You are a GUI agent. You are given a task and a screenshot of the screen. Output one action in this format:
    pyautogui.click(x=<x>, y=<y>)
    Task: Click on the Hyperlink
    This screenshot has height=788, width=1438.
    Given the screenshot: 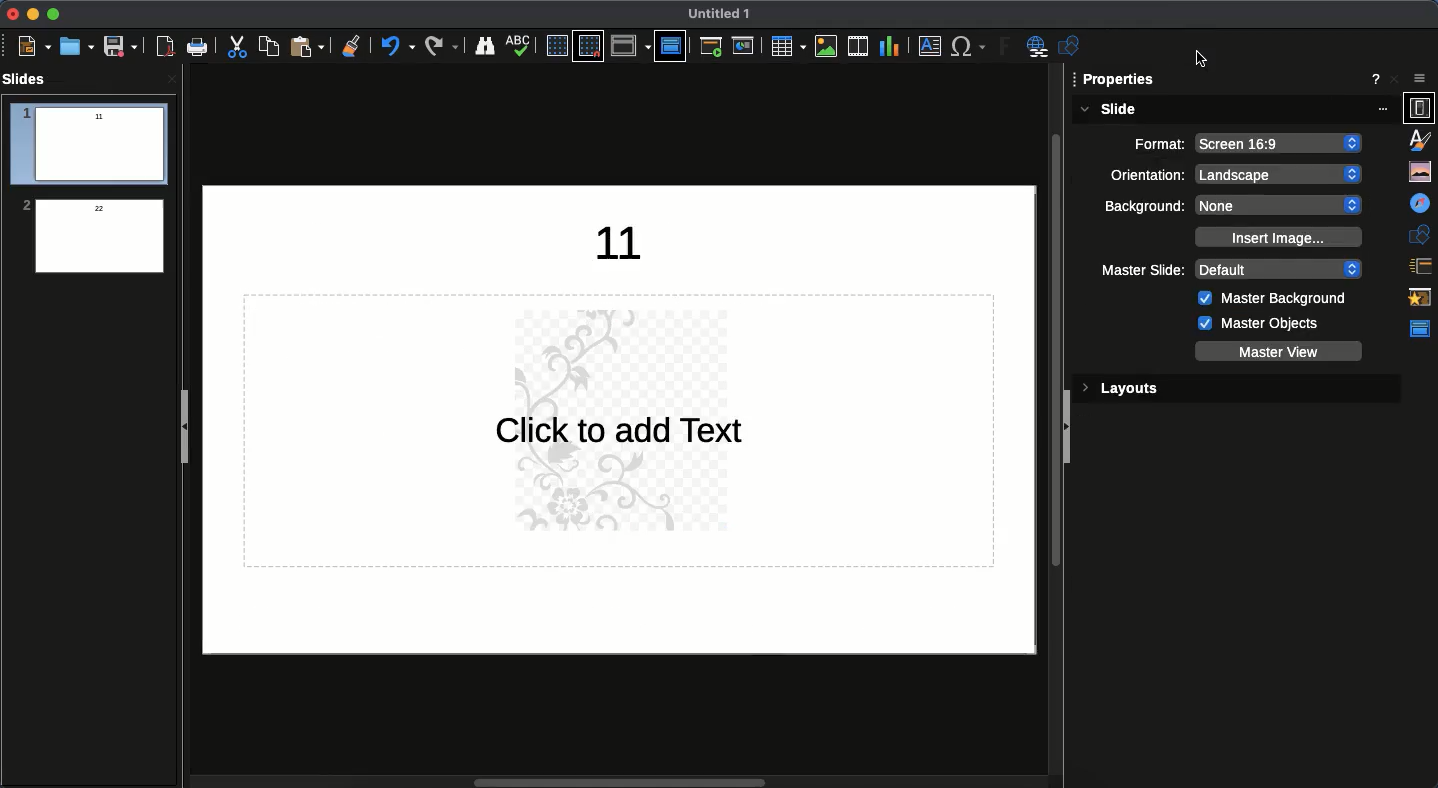 What is the action you would take?
    pyautogui.click(x=1040, y=48)
    